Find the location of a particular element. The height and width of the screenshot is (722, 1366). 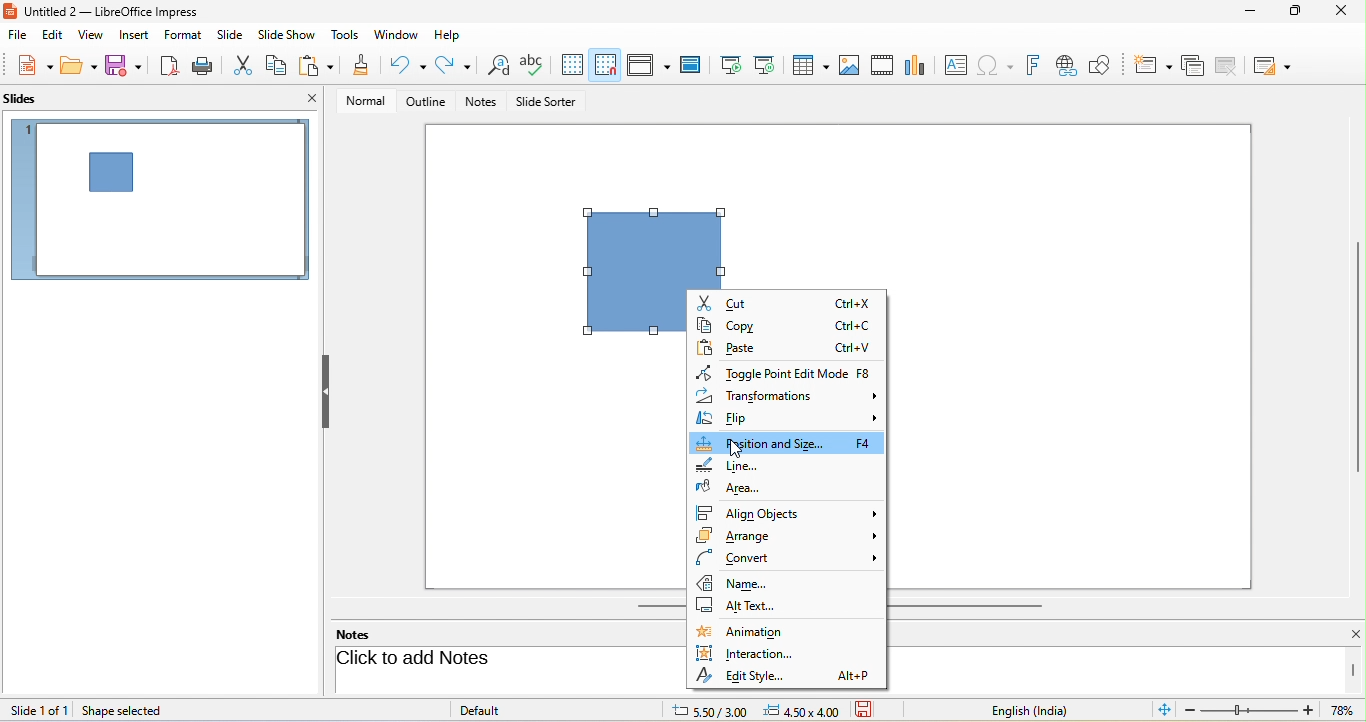

paste is located at coordinates (785, 345).